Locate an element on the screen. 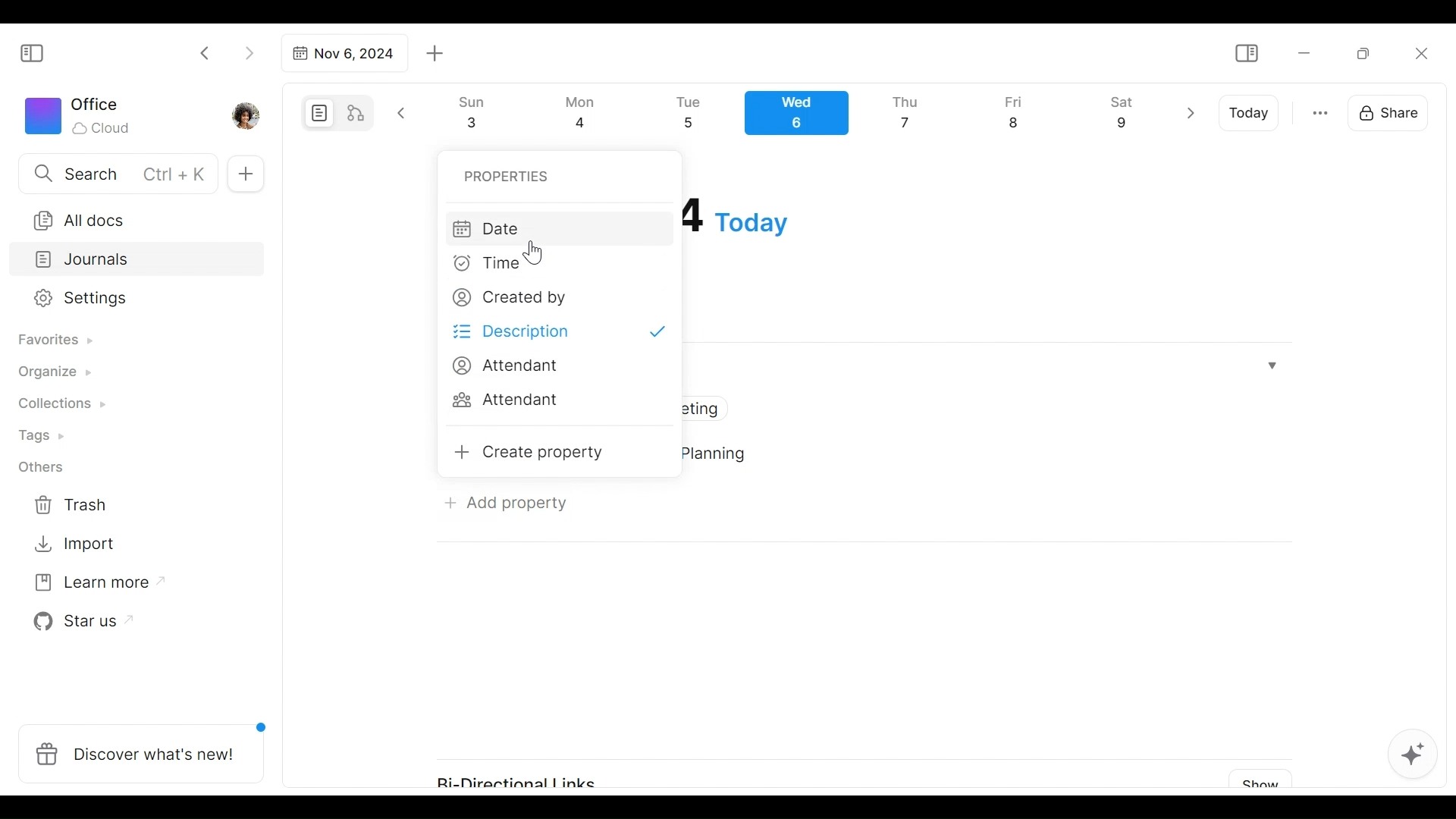  Time is located at coordinates (492, 267).